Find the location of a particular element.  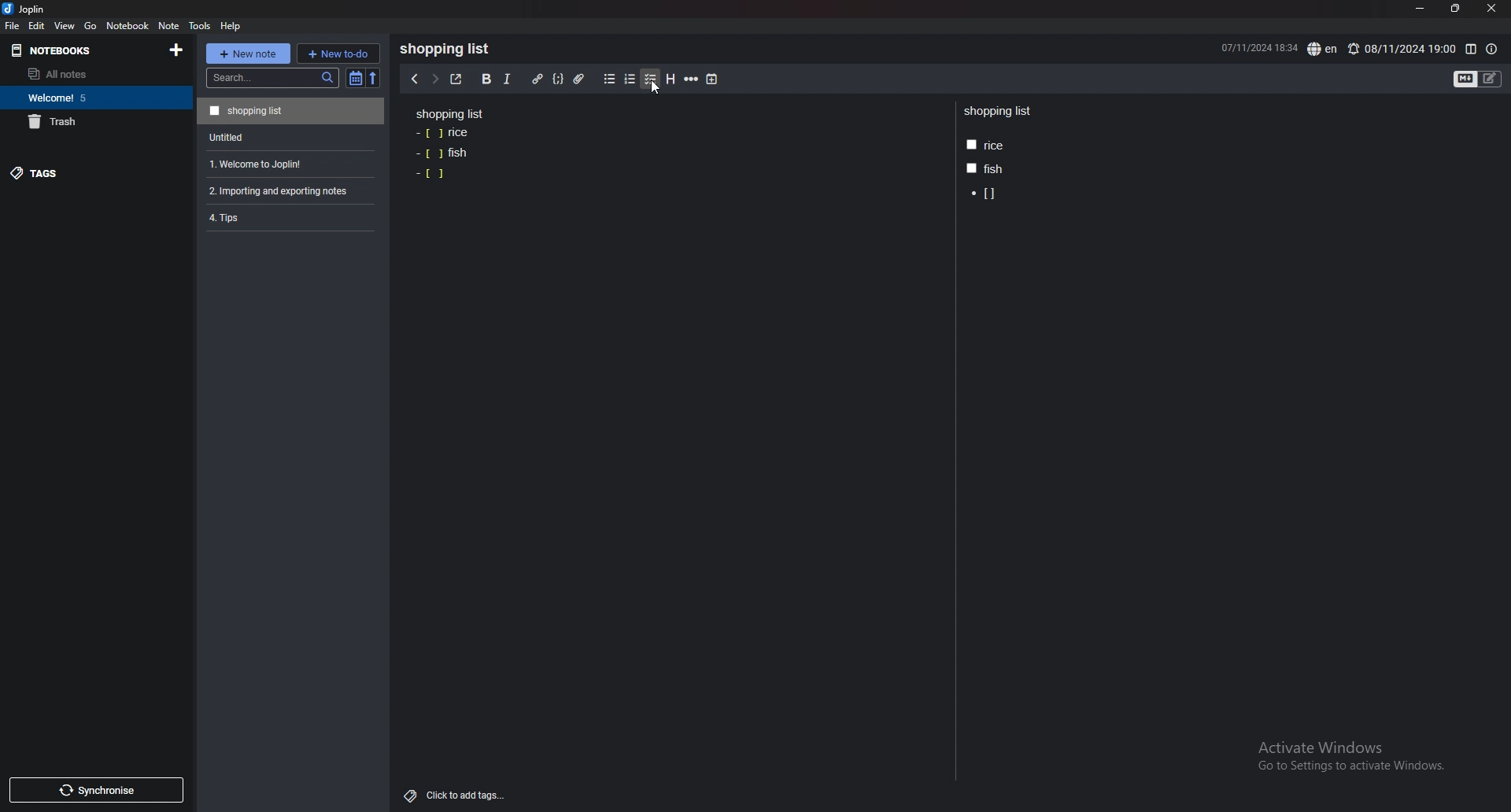

heading is located at coordinates (671, 79).